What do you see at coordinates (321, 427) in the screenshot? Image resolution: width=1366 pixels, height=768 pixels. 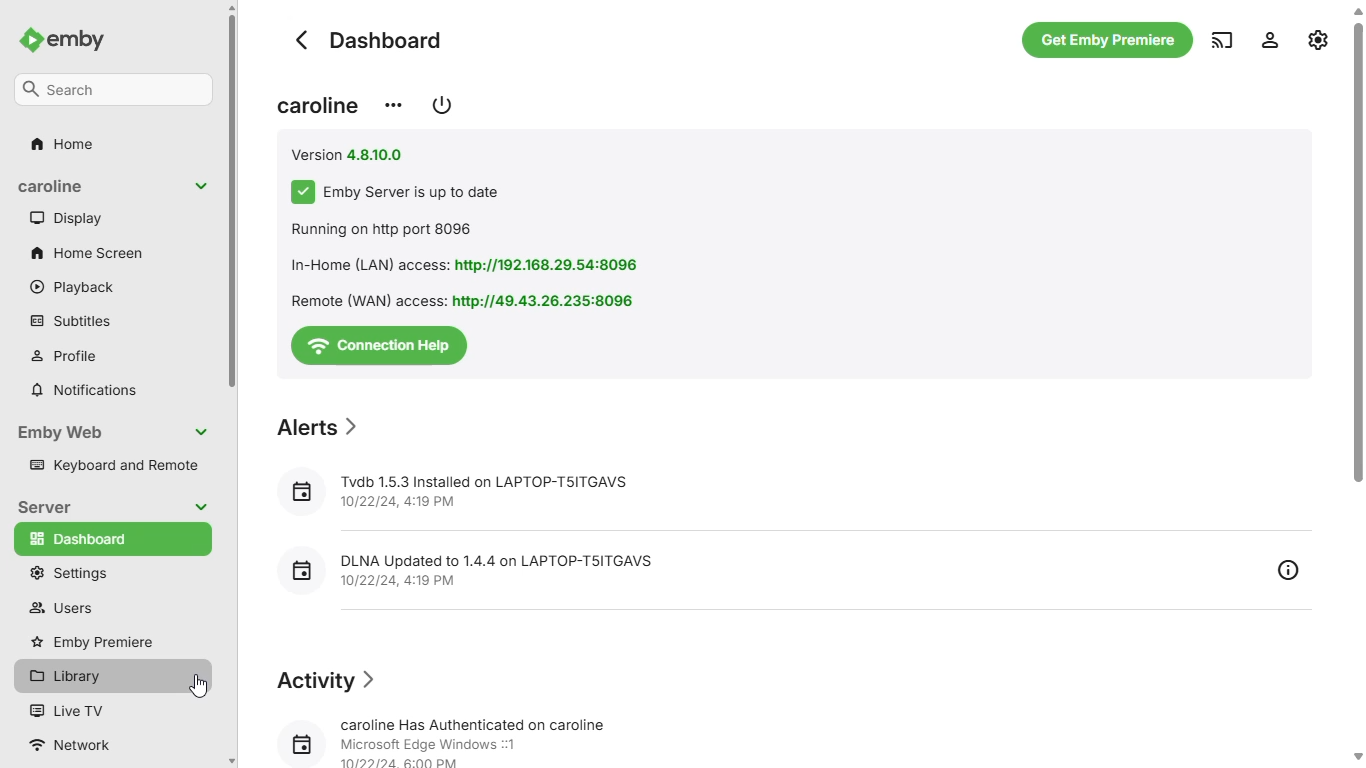 I see `alerts` at bounding box center [321, 427].